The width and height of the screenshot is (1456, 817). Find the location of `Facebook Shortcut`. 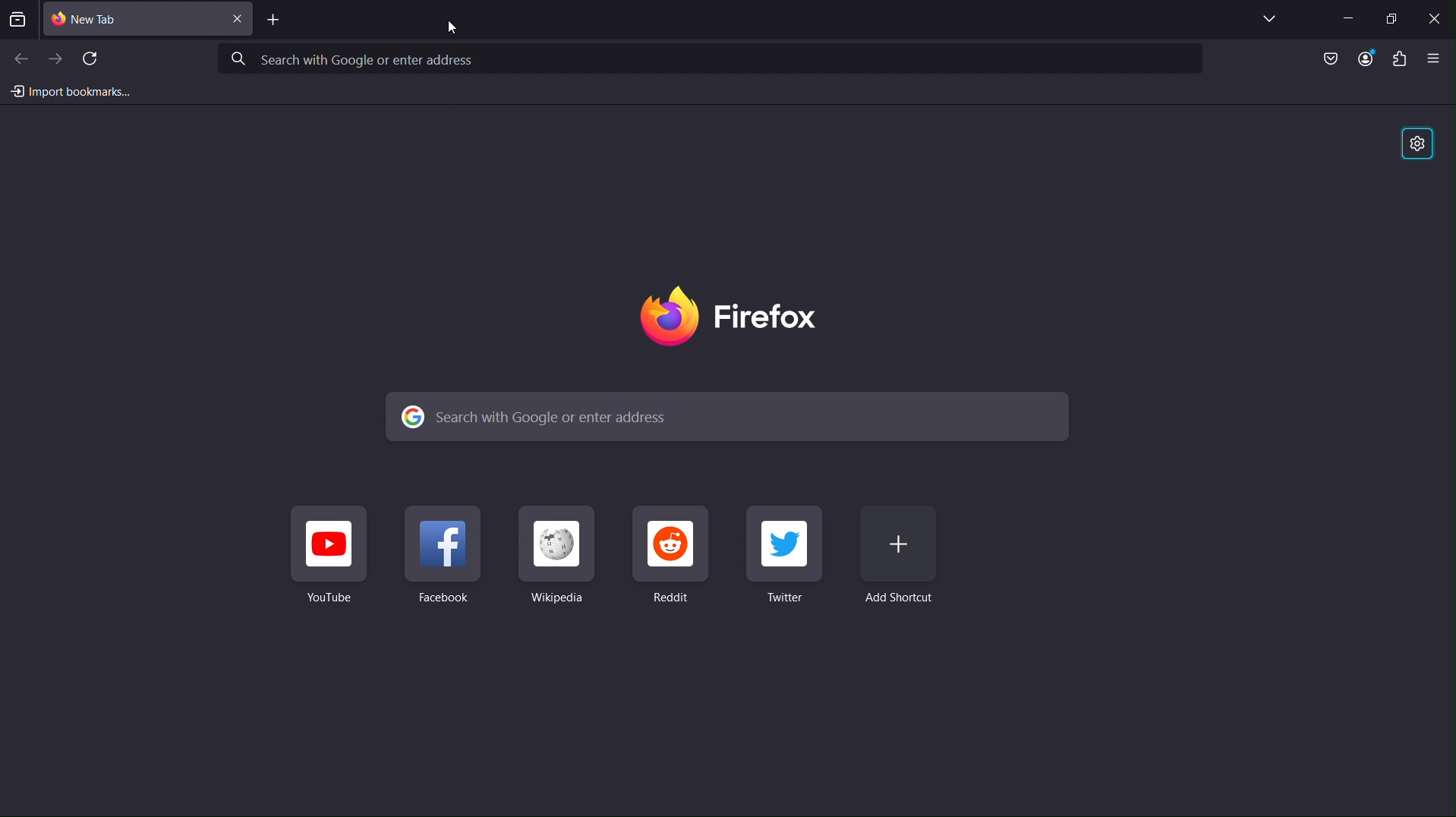

Facebook Shortcut is located at coordinates (449, 560).